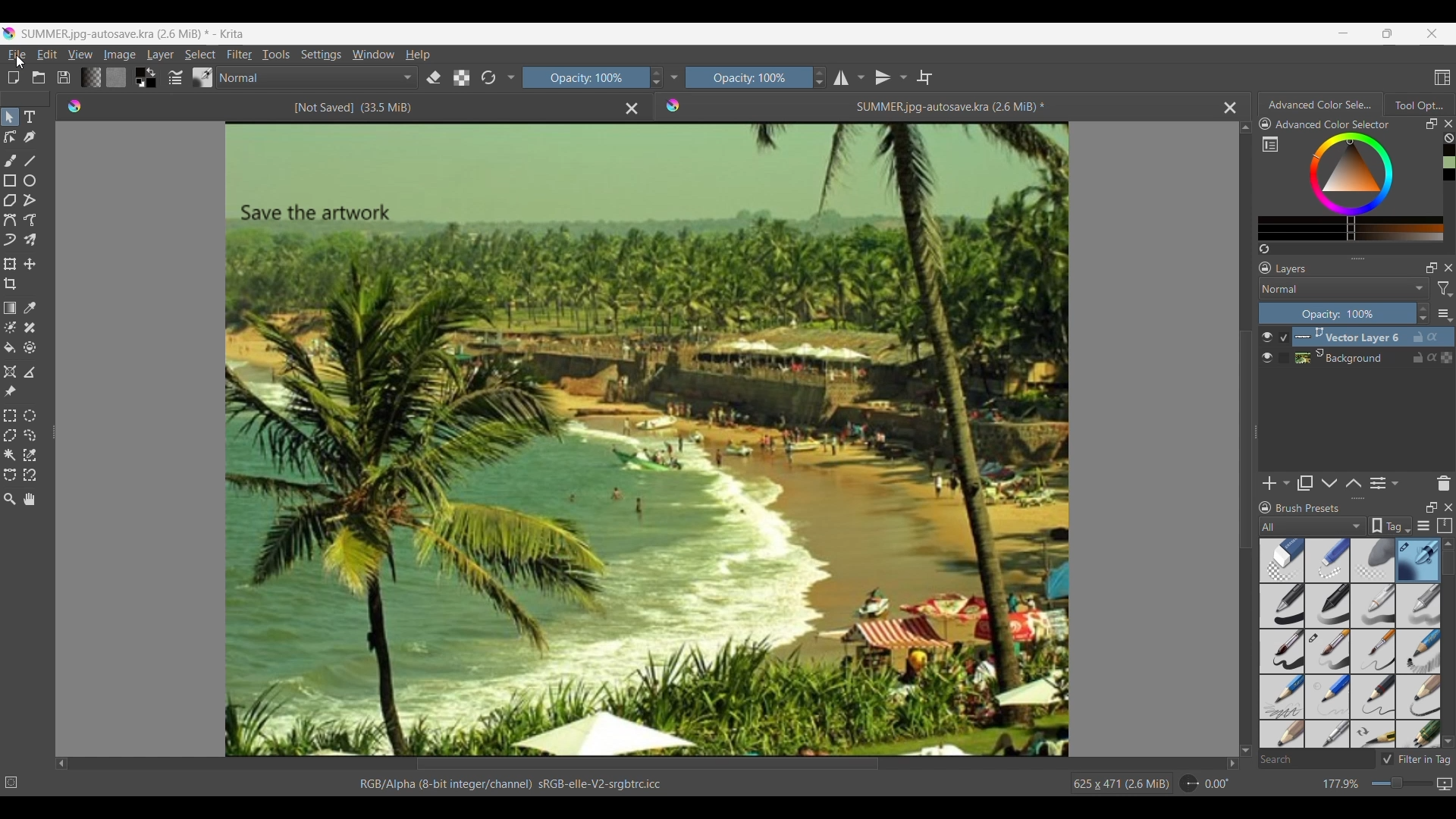 This screenshot has height=819, width=1456. Describe the element at coordinates (17, 56) in the screenshot. I see `Cursor on File` at that location.